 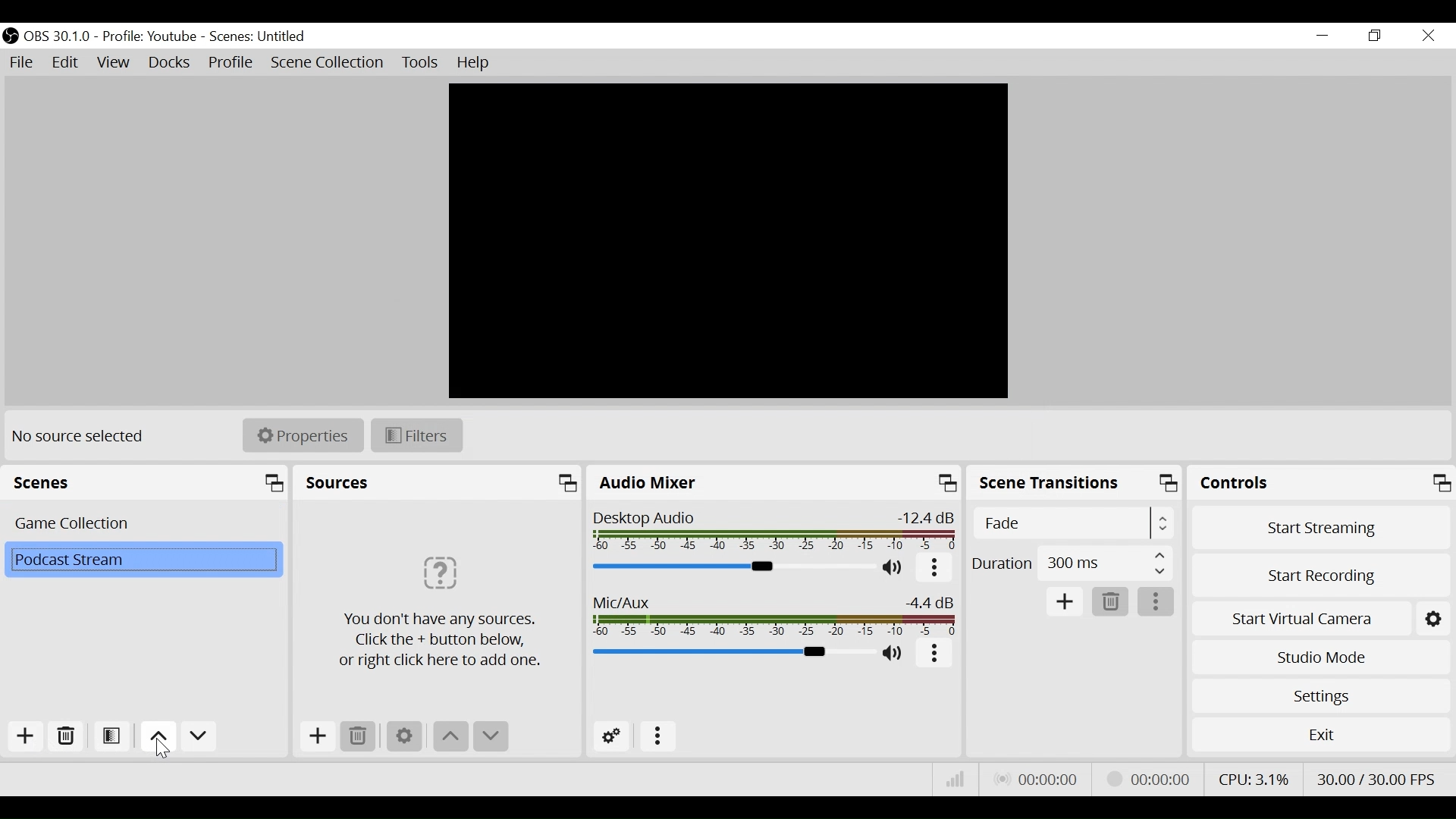 I want to click on Mic/Aux, so click(x=776, y=616).